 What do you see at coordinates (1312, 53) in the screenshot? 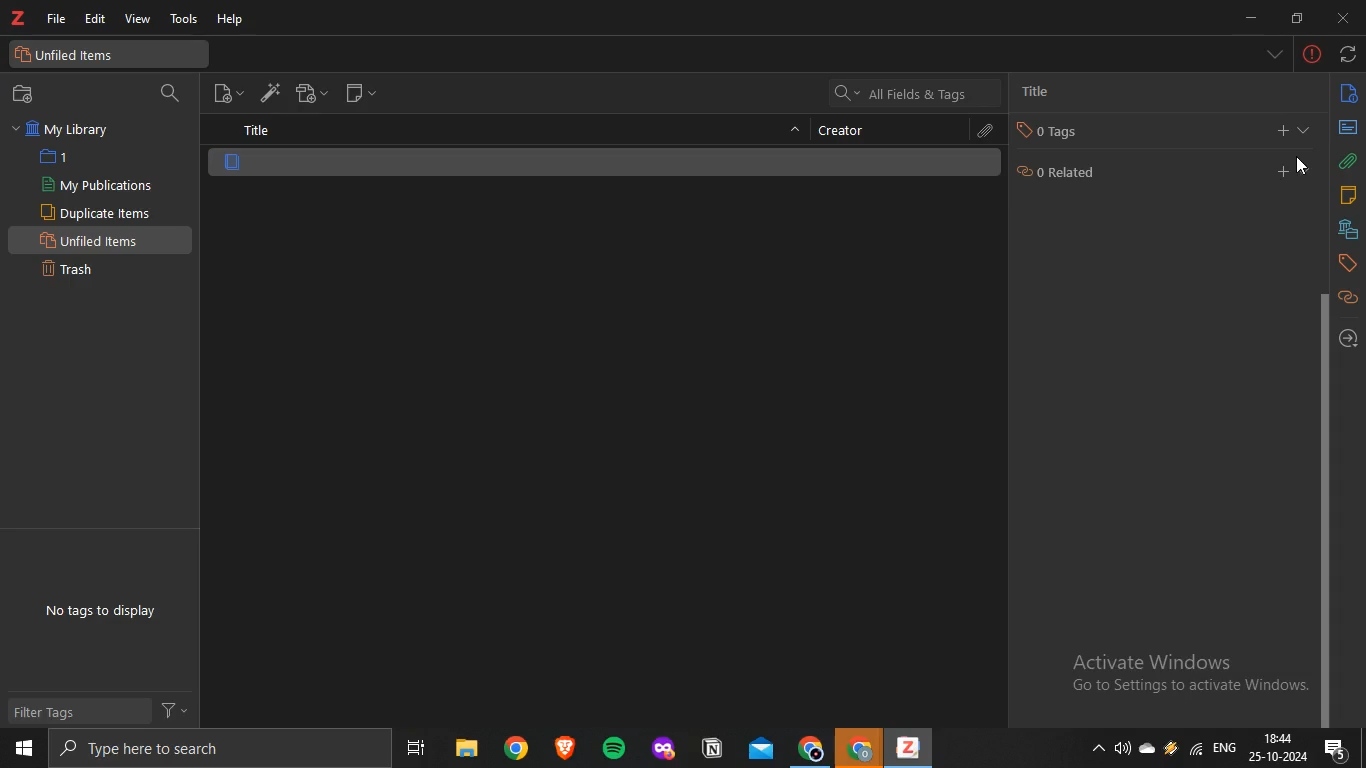
I see `-` at bounding box center [1312, 53].